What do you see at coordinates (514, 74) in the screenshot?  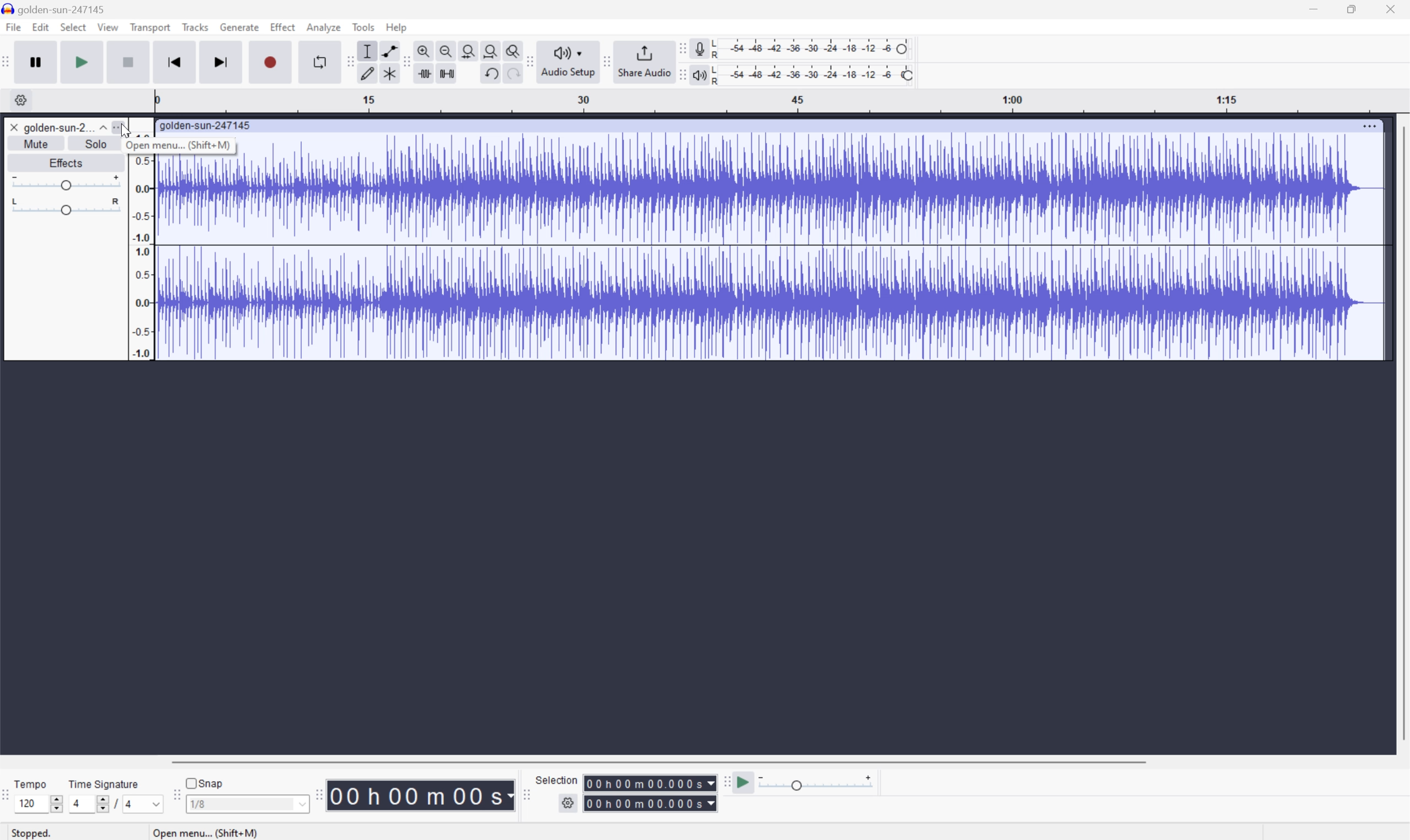 I see `Redo` at bounding box center [514, 74].